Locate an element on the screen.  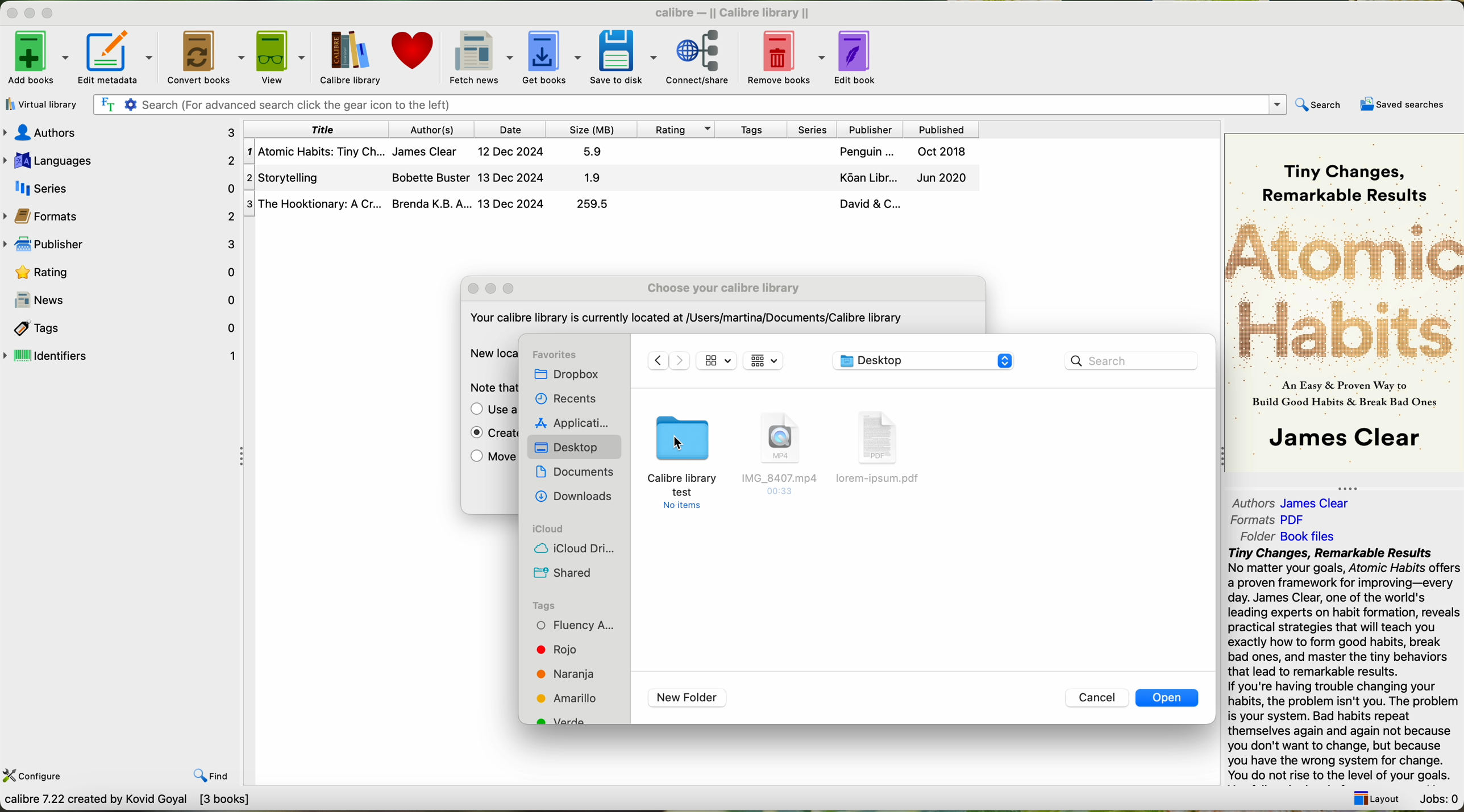
saved searches is located at coordinates (1405, 105).